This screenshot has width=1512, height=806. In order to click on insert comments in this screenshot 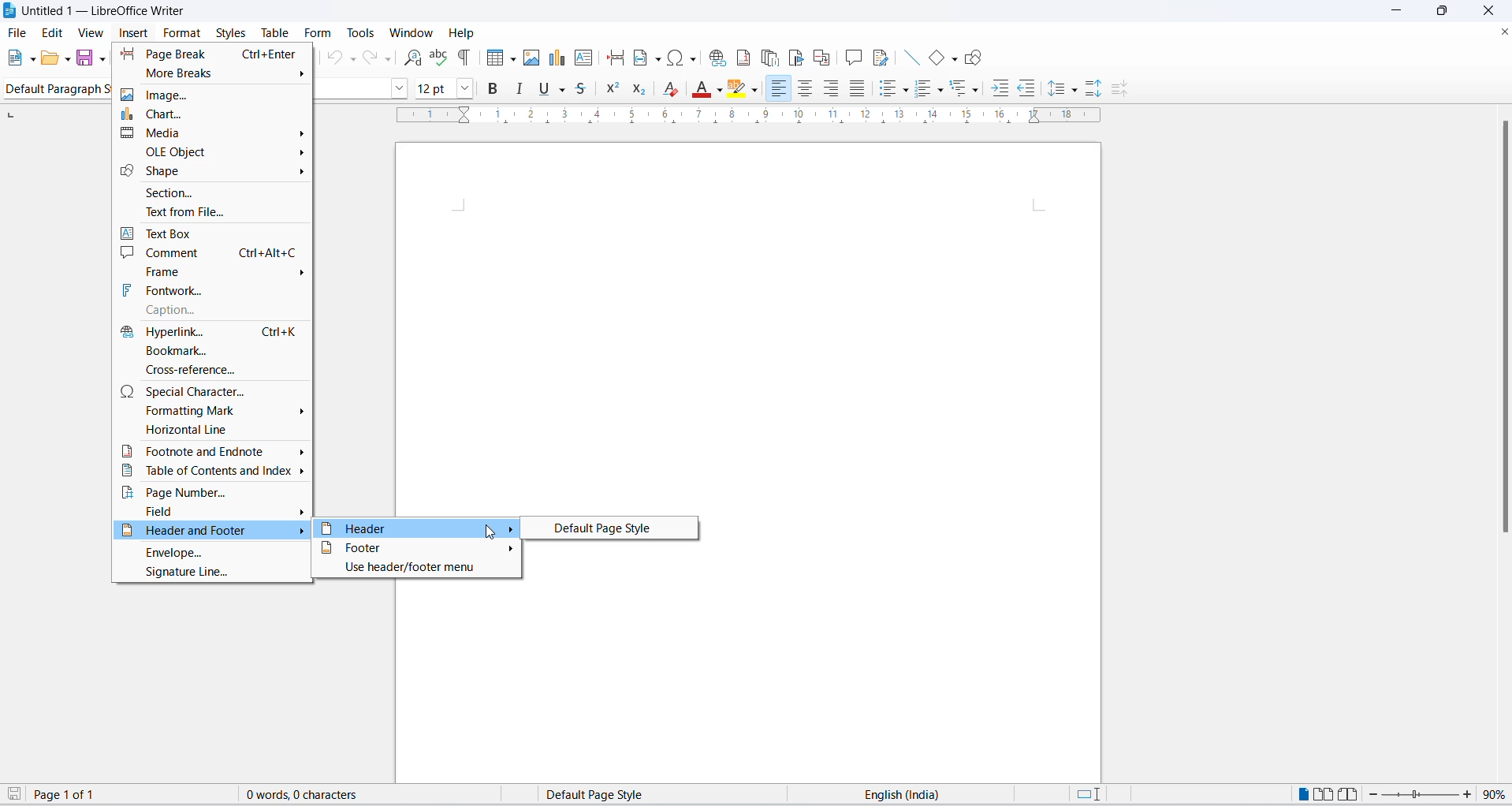, I will do `click(852, 55)`.